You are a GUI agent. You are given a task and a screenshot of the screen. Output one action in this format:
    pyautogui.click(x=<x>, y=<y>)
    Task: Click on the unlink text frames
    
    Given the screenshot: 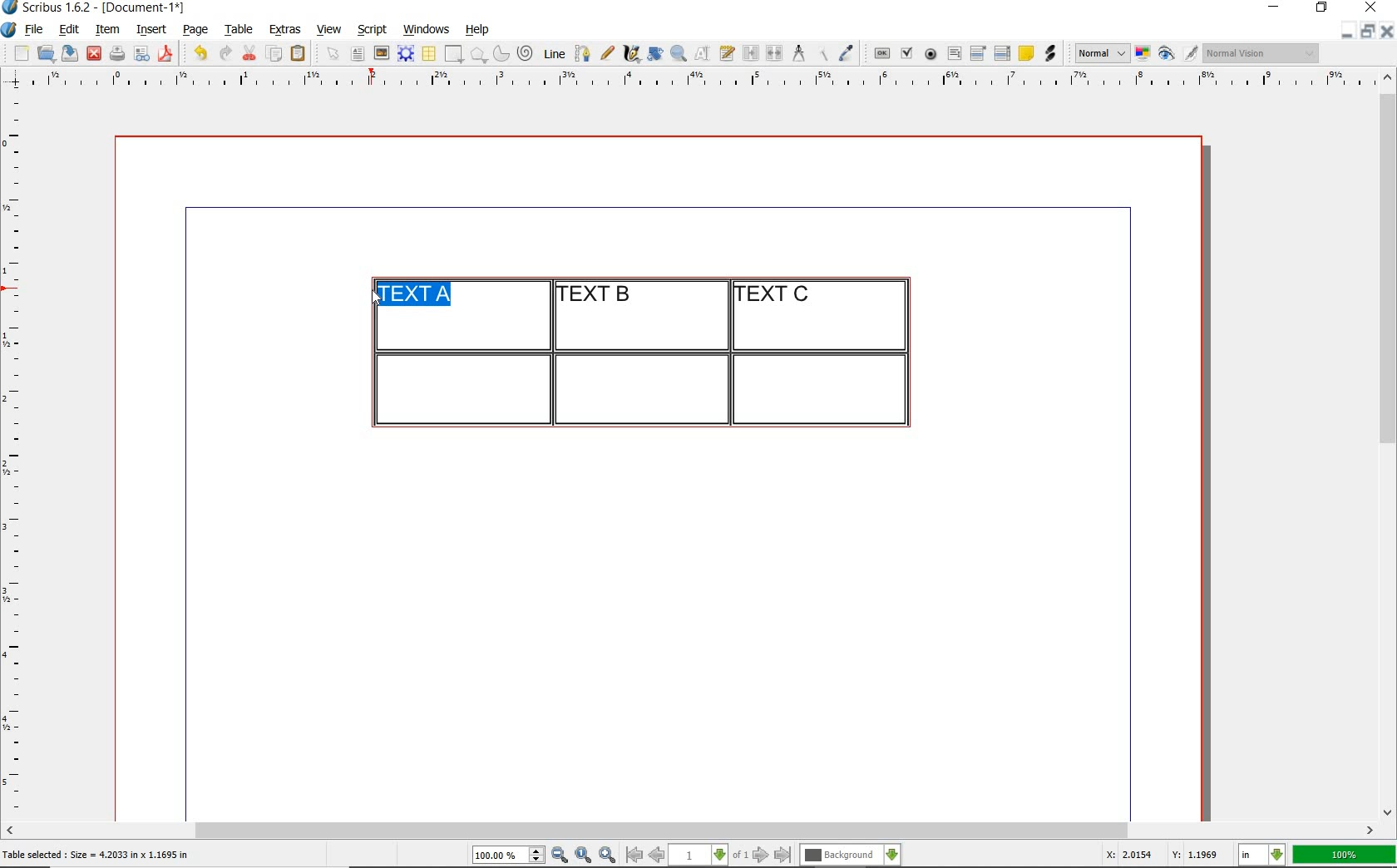 What is the action you would take?
    pyautogui.click(x=774, y=54)
    